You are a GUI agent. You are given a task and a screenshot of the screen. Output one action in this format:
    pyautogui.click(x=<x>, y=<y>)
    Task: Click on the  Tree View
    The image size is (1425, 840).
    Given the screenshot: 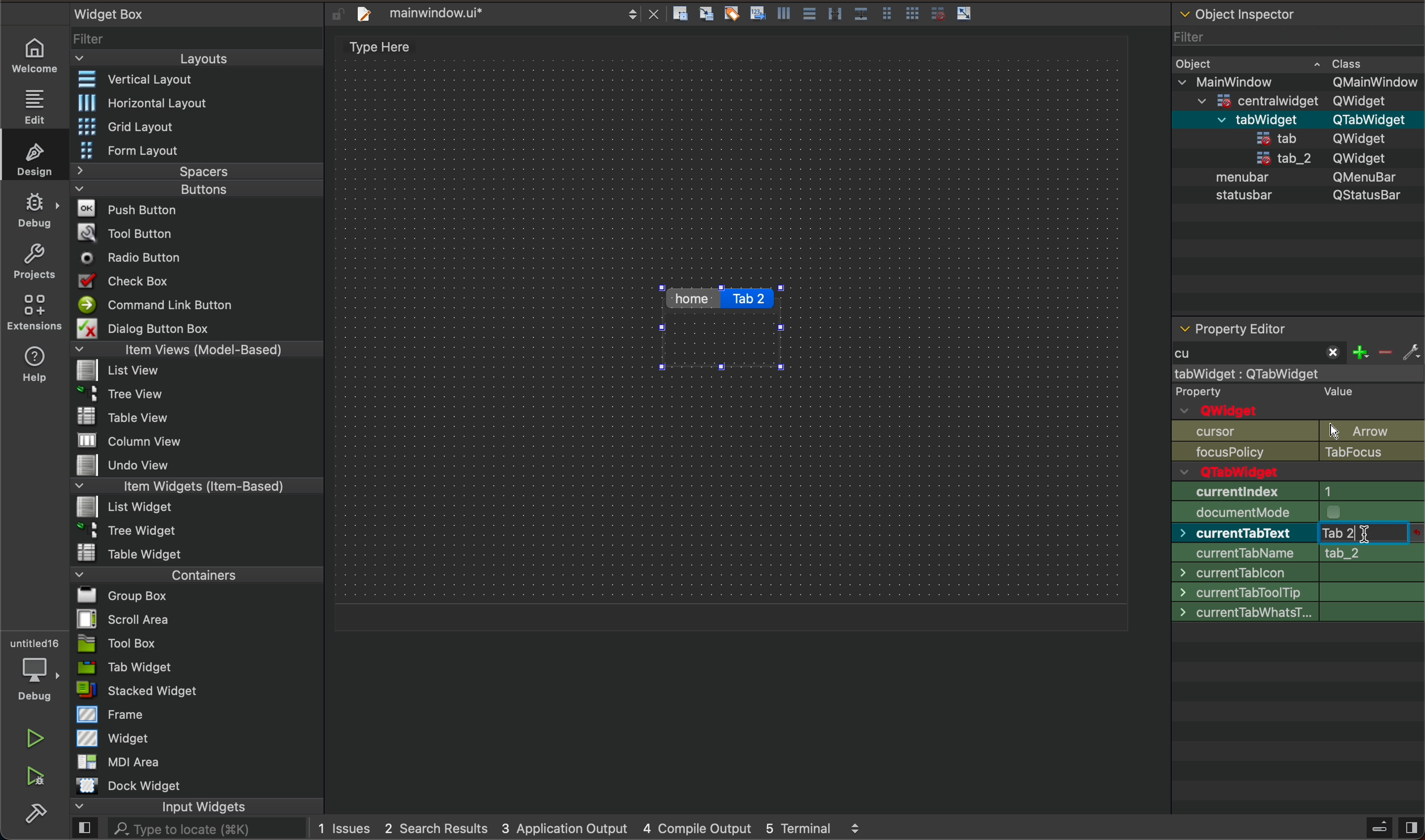 What is the action you would take?
    pyautogui.click(x=122, y=392)
    